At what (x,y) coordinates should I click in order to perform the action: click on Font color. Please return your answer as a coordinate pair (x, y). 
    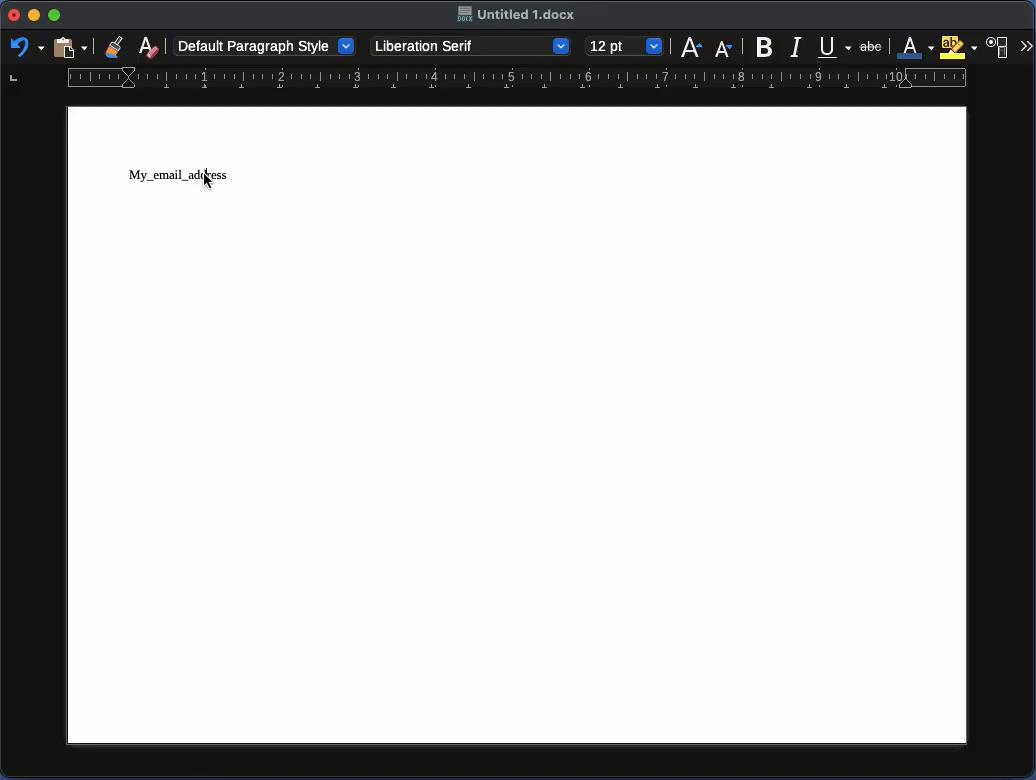
    Looking at the image, I should click on (912, 47).